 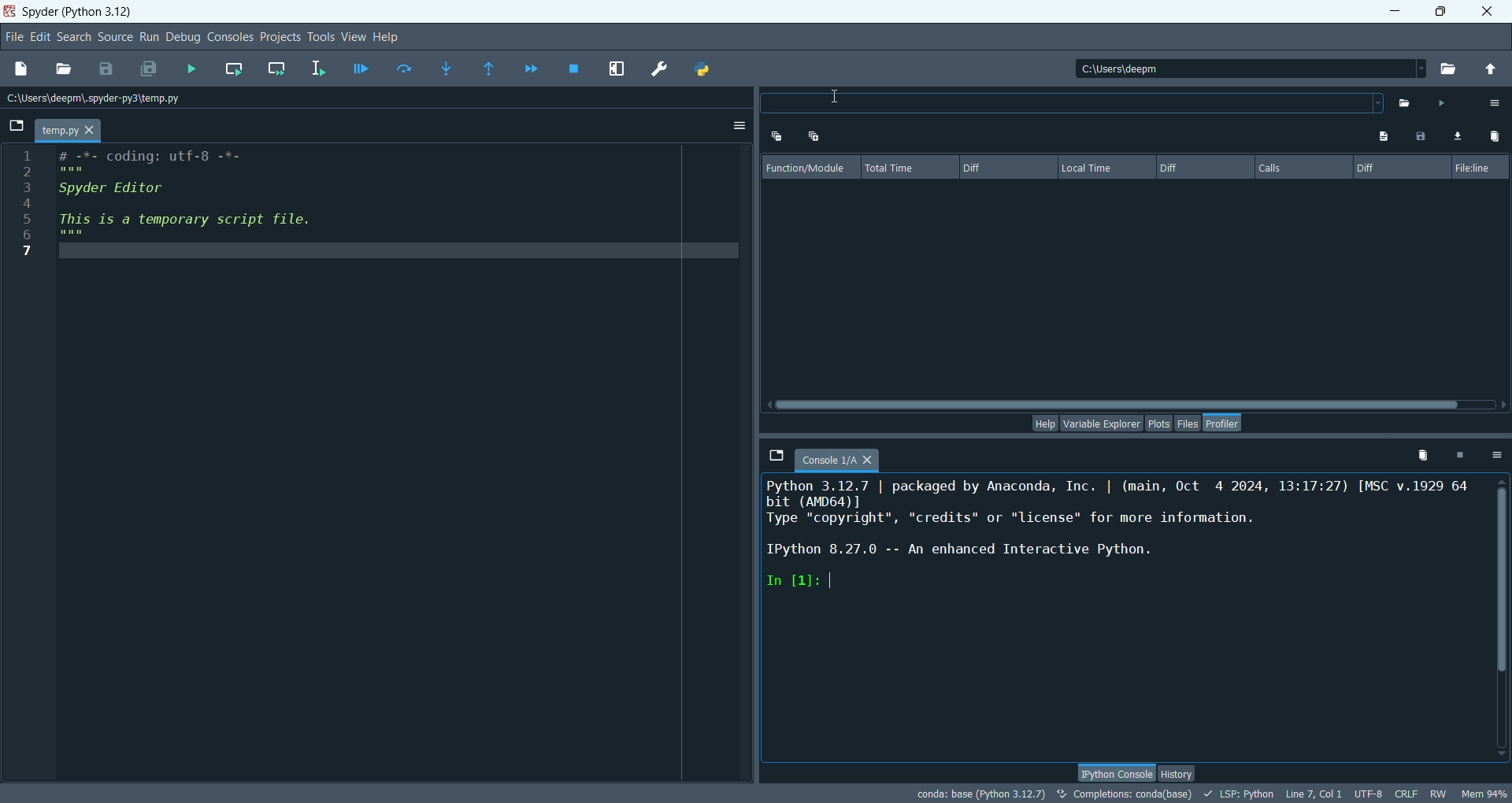 What do you see at coordinates (1126, 794) in the screenshot?
I see `completion:conda` at bounding box center [1126, 794].